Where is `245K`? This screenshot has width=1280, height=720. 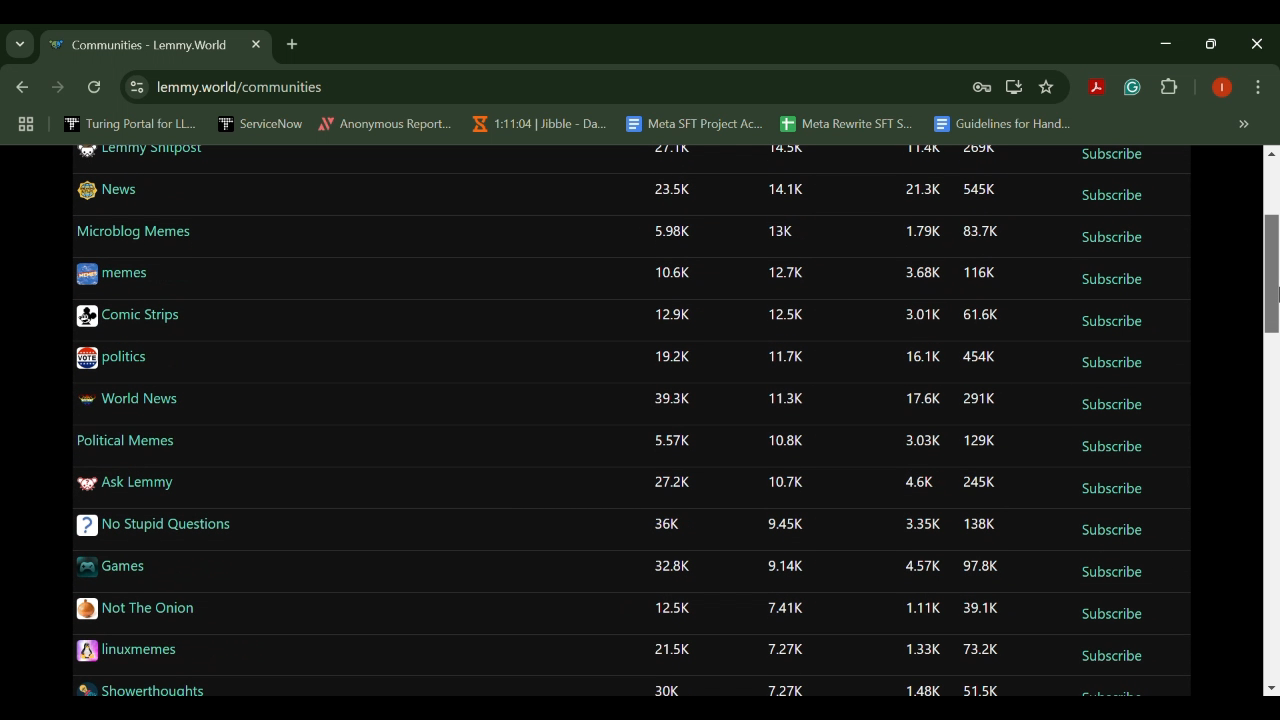 245K is located at coordinates (979, 483).